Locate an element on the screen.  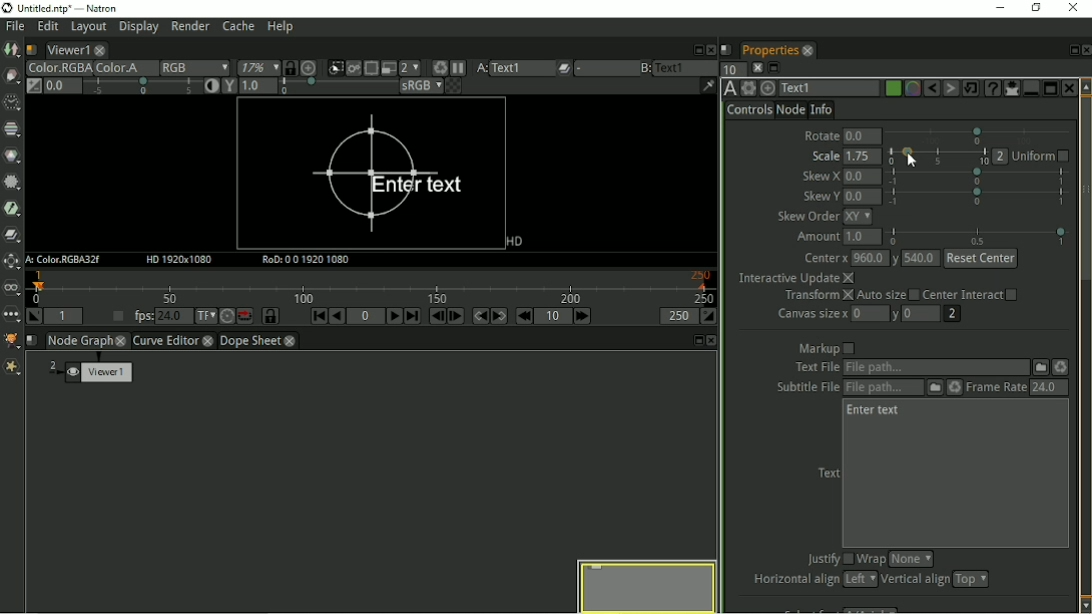
Timeline is located at coordinates (372, 288).